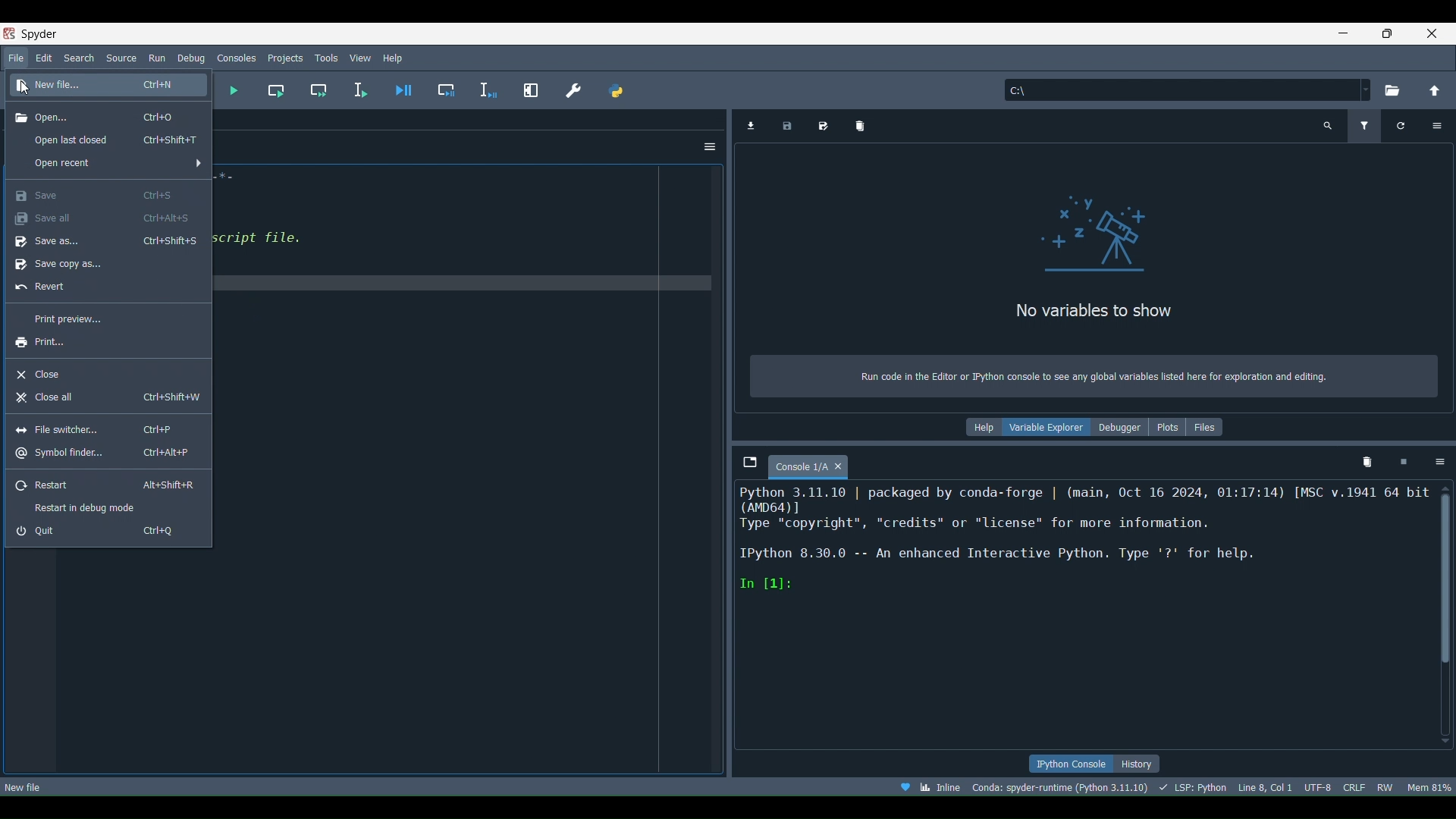  Describe the element at coordinates (67, 165) in the screenshot. I see `Open recent` at that location.